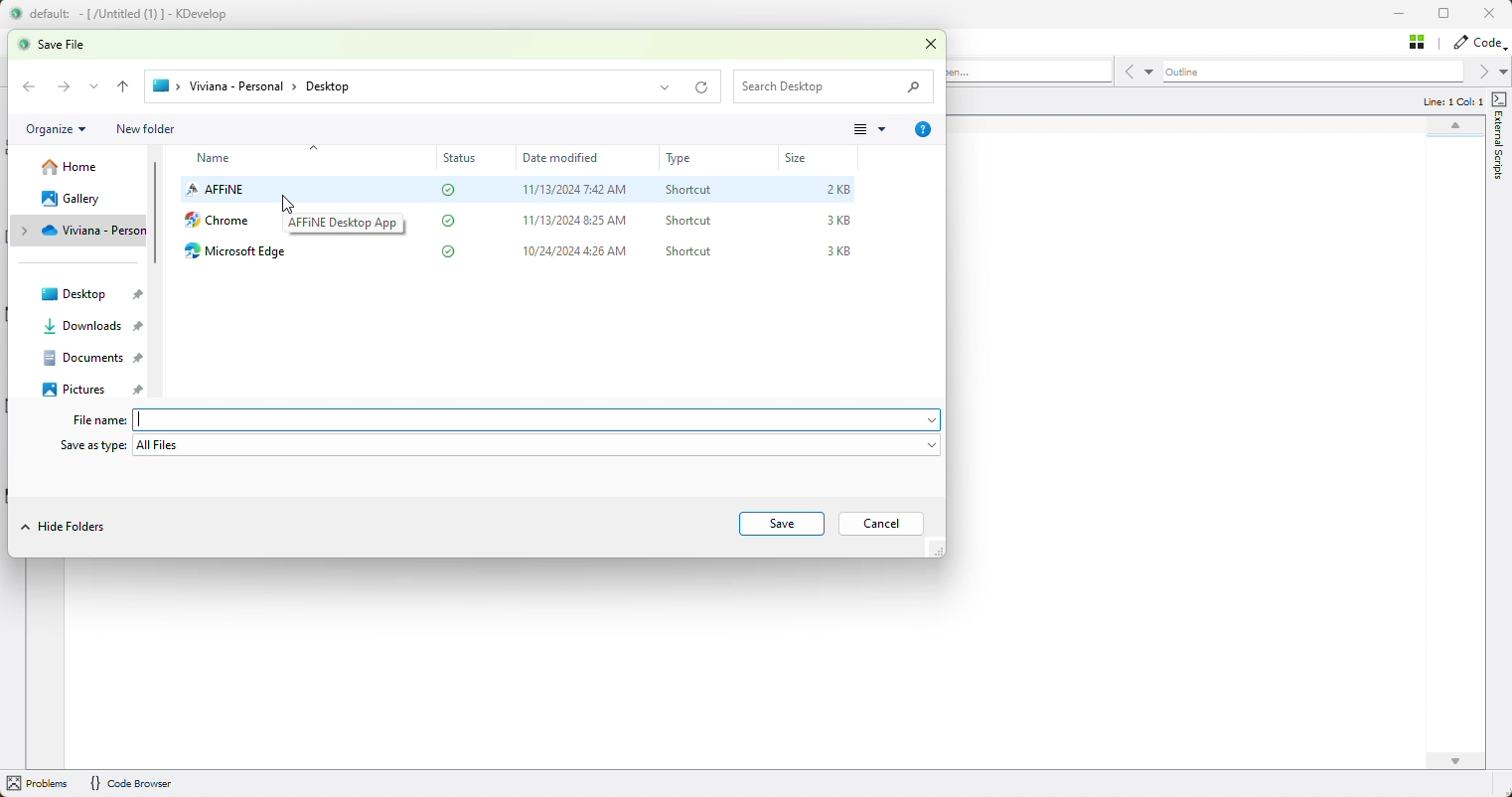 This screenshot has height=797, width=1512. I want to click on chrome, so click(219, 222).